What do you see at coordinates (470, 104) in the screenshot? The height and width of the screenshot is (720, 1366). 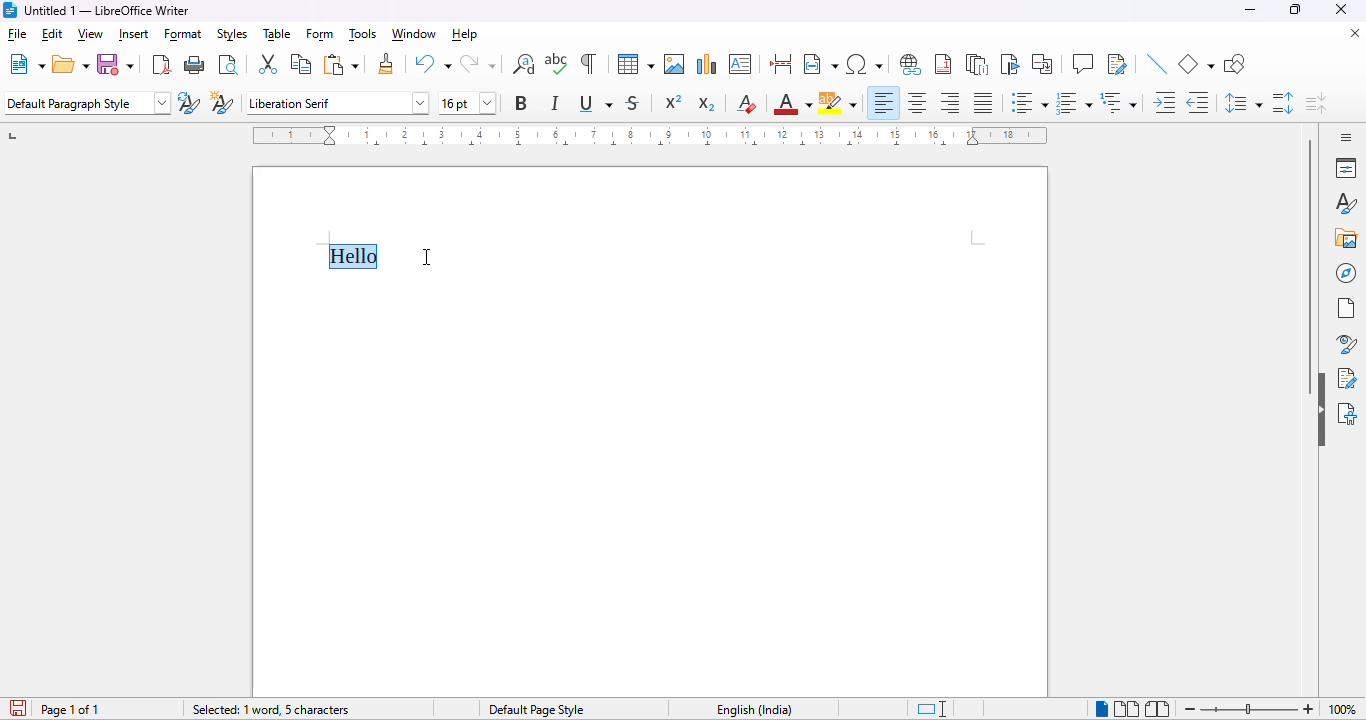 I see `16 pt. font size` at bounding box center [470, 104].